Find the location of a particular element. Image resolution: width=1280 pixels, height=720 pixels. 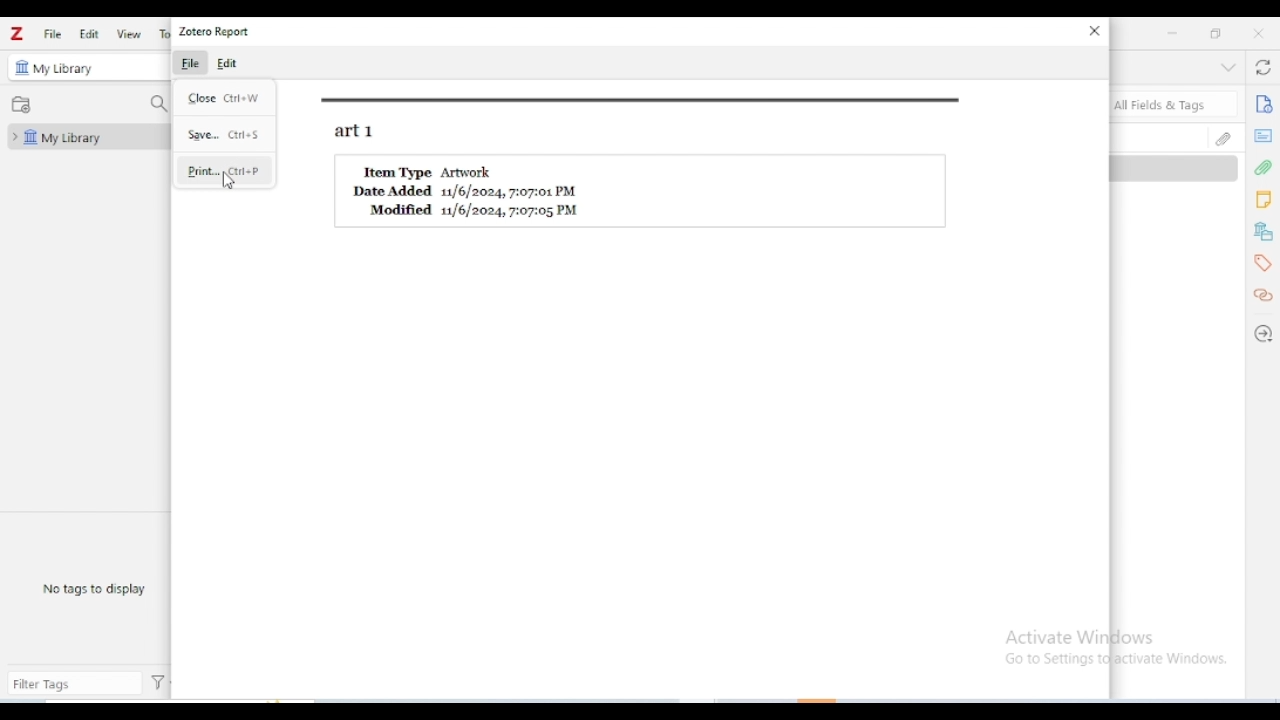

ctrl + W is located at coordinates (242, 98).